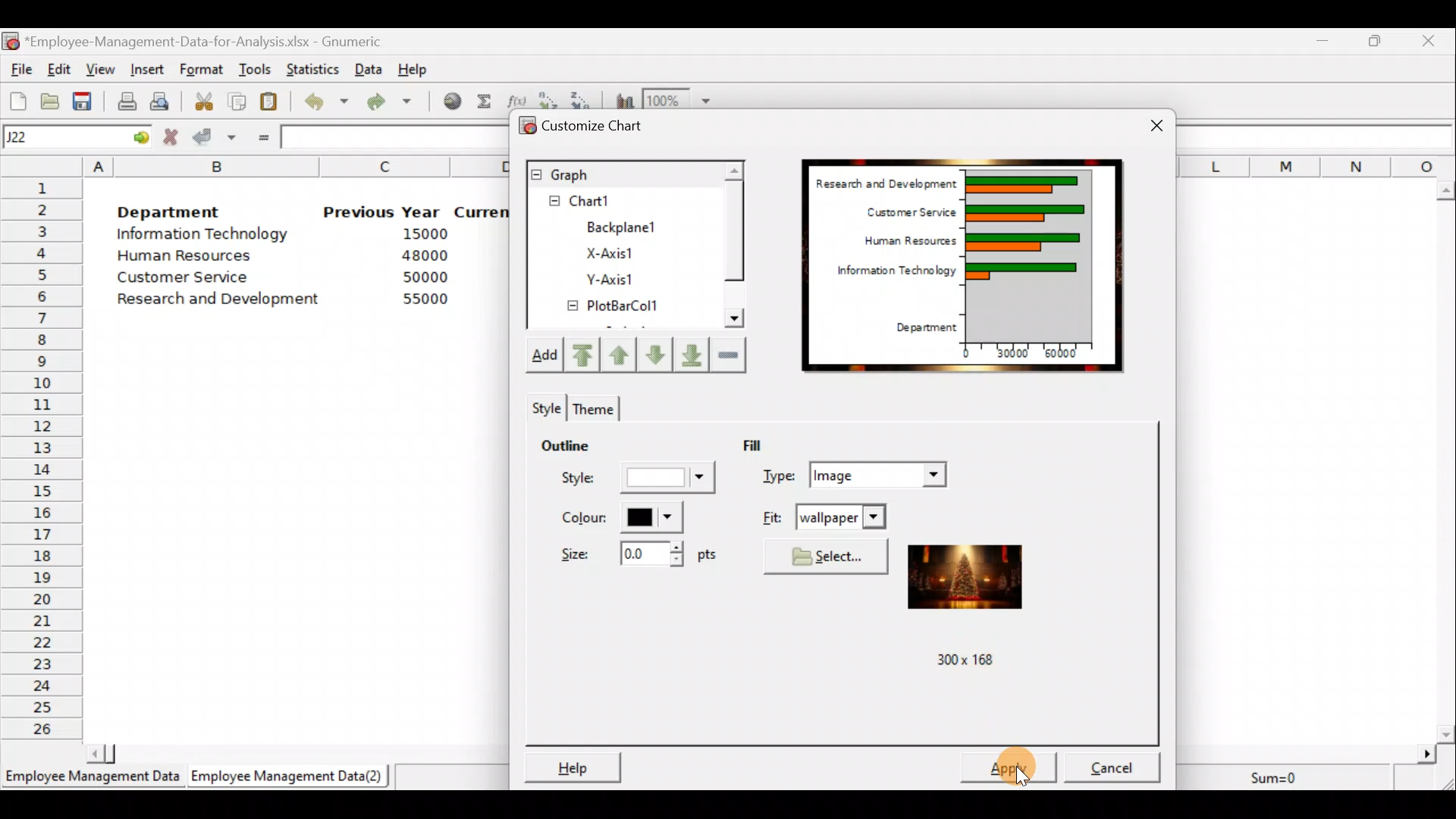  Describe the element at coordinates (549, 356) in the screenshot. I see `Add` at that location.